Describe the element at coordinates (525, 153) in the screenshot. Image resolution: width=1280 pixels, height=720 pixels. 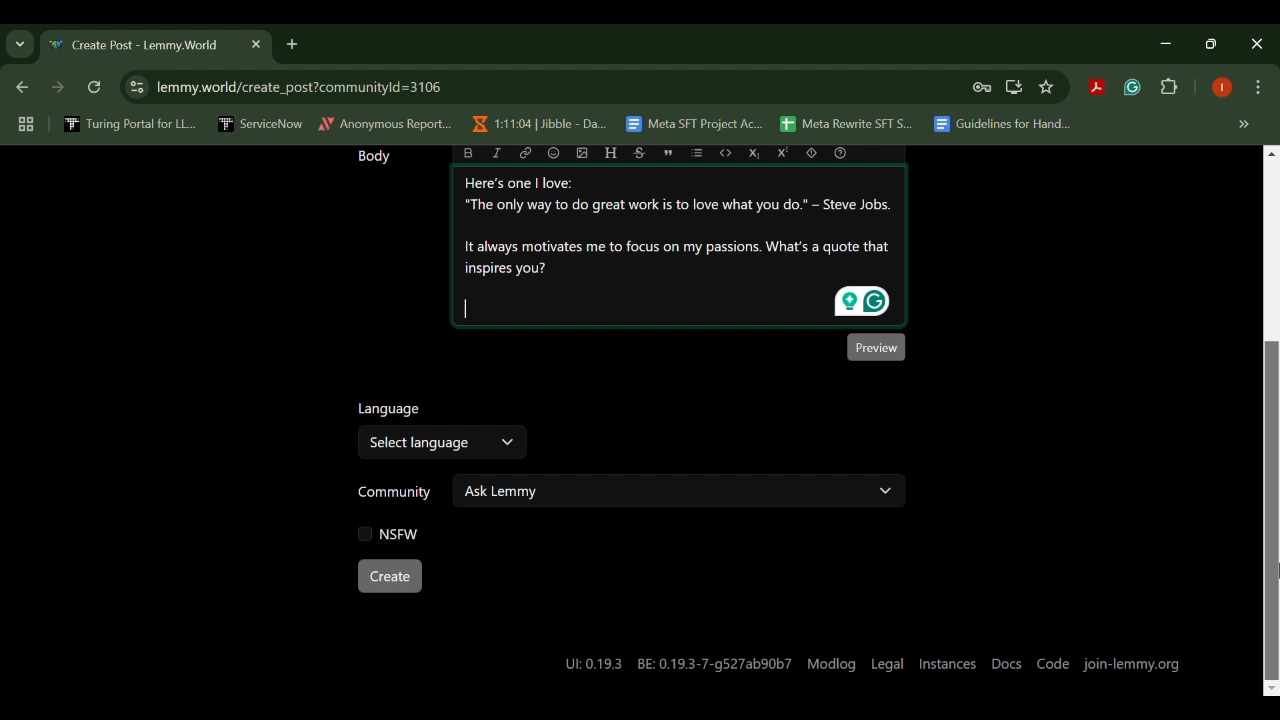
I see `link` at that location.